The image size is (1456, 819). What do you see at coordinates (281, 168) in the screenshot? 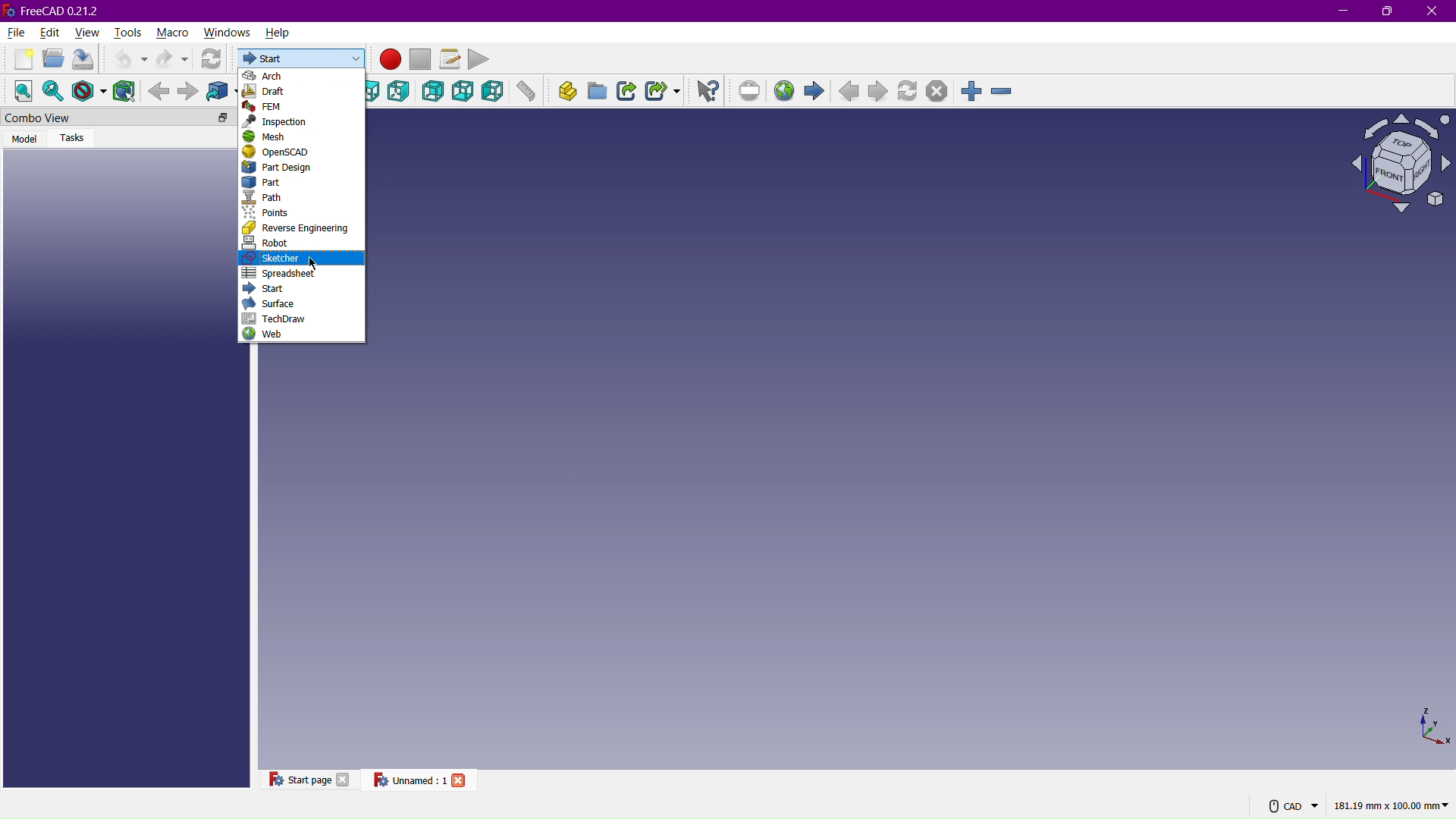
I see `Part Design` at bounding box center [281, 168].